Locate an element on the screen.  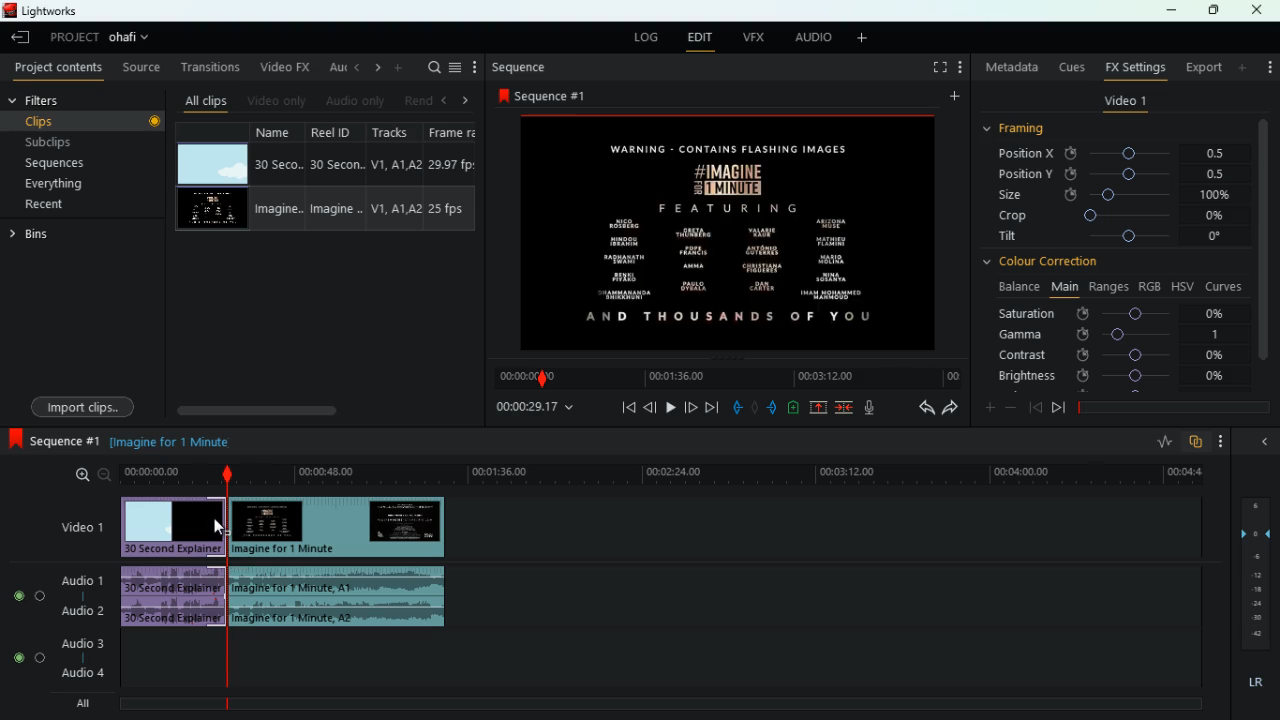
sequences is located at coordinates (78, 163).